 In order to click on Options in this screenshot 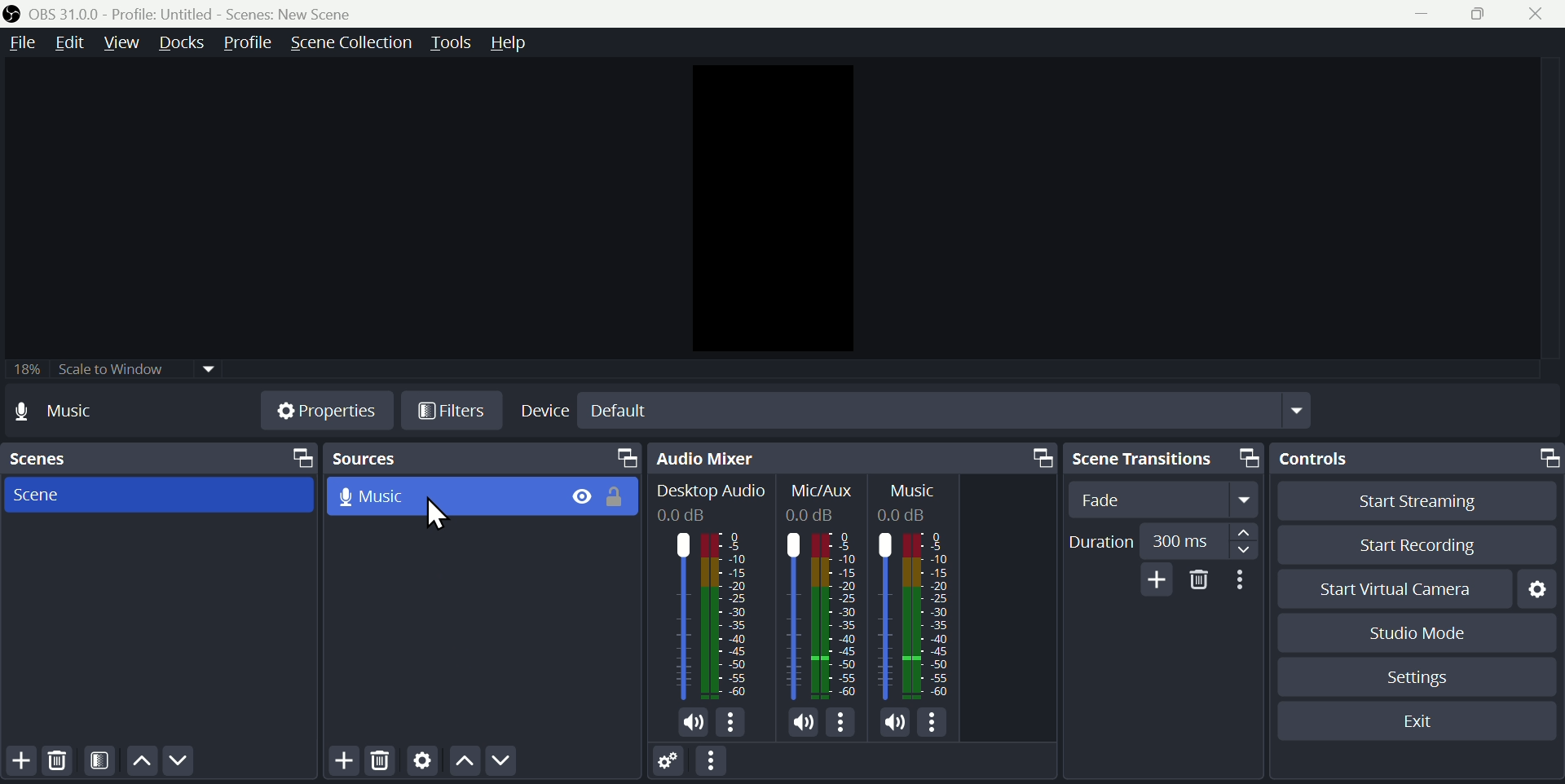, I will do `click(841, 723)`.